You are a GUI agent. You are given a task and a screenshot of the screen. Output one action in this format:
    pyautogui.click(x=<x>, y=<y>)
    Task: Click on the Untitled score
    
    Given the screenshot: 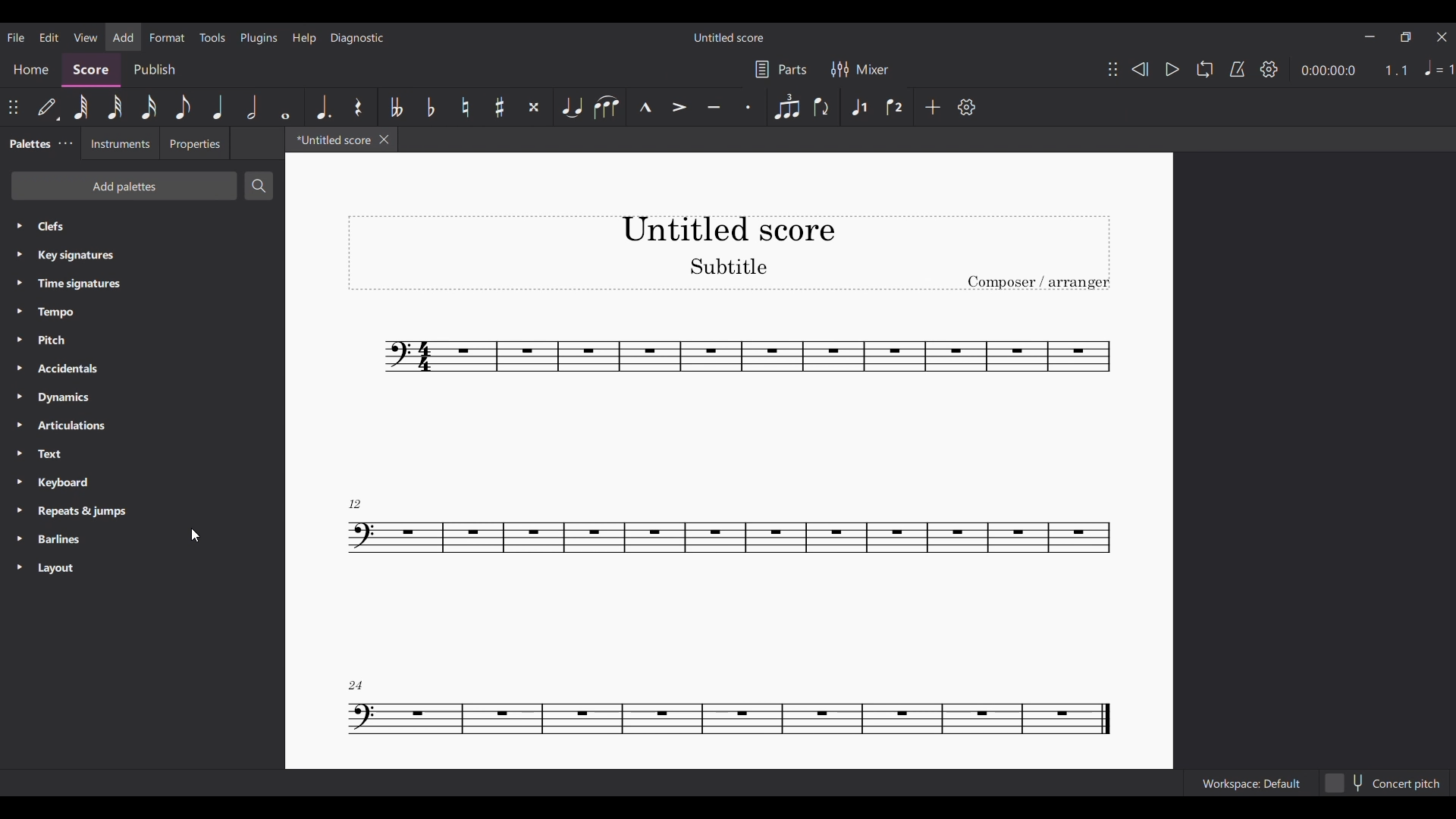 What is the action you would take?
    pyautogui.click(x=727, y=37)
    